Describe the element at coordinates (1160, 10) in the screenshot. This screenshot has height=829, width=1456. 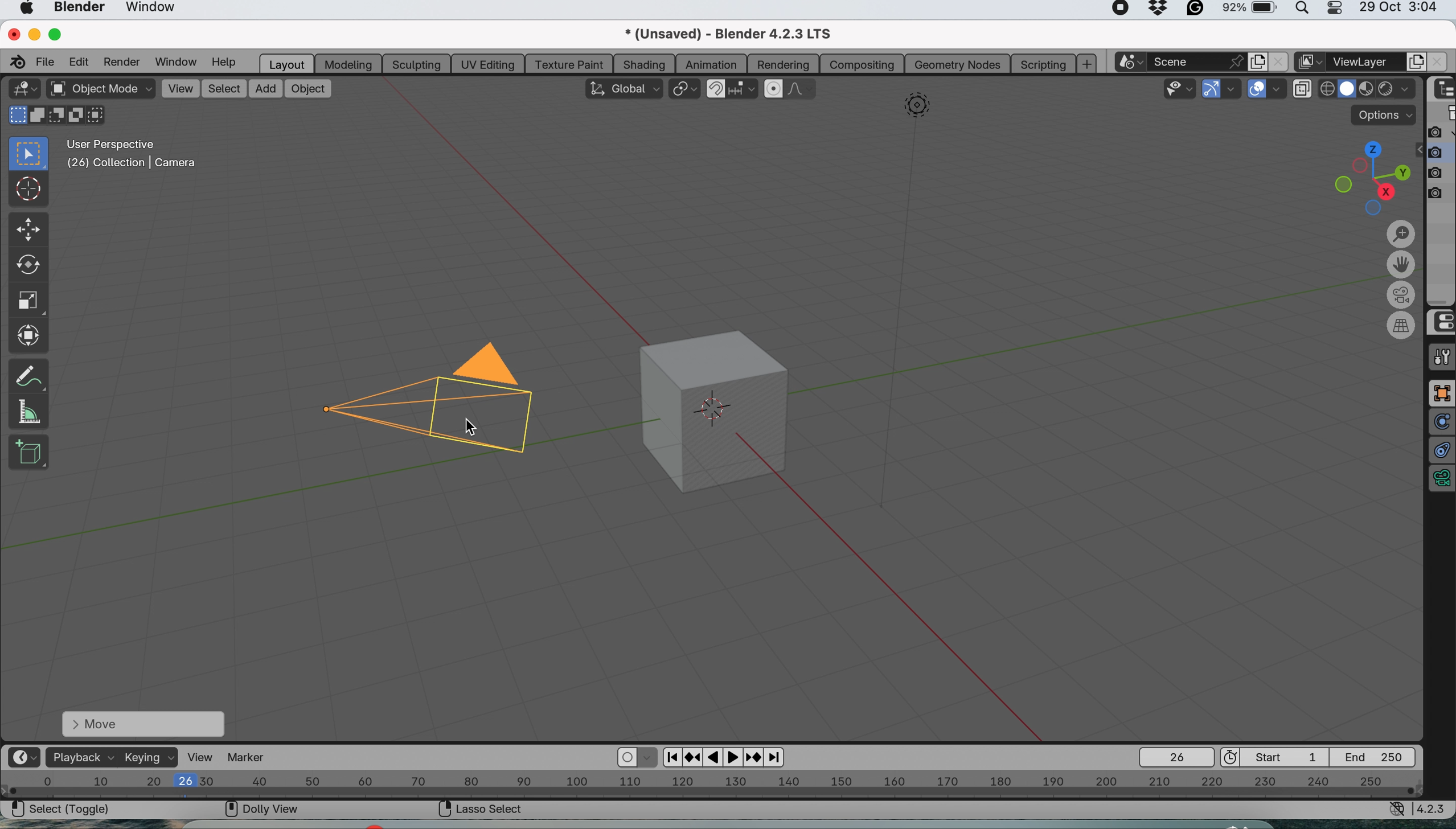
I see `drop box` at that location.